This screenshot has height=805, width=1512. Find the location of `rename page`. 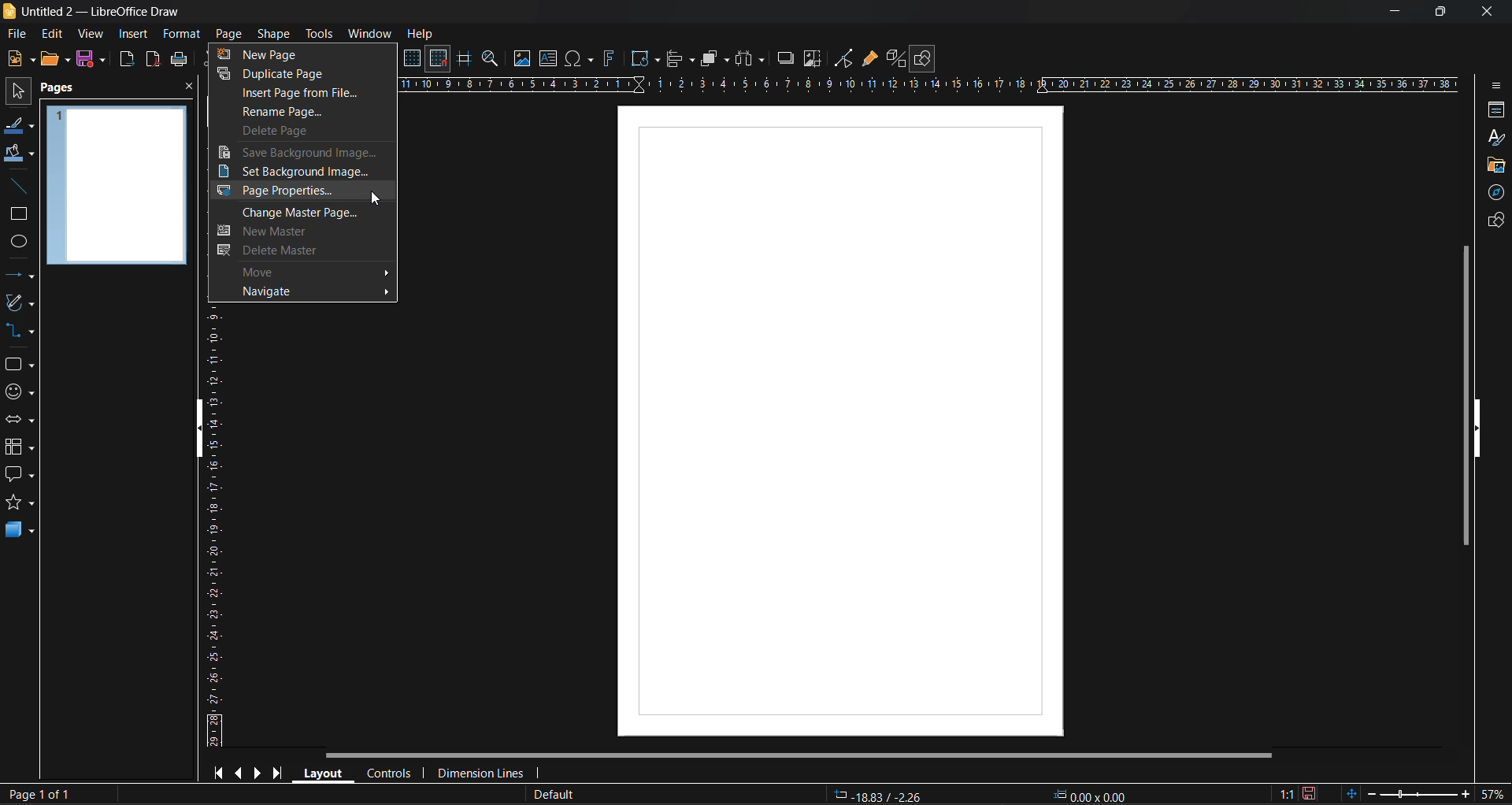

rename page is located at coordinates (282, 113).